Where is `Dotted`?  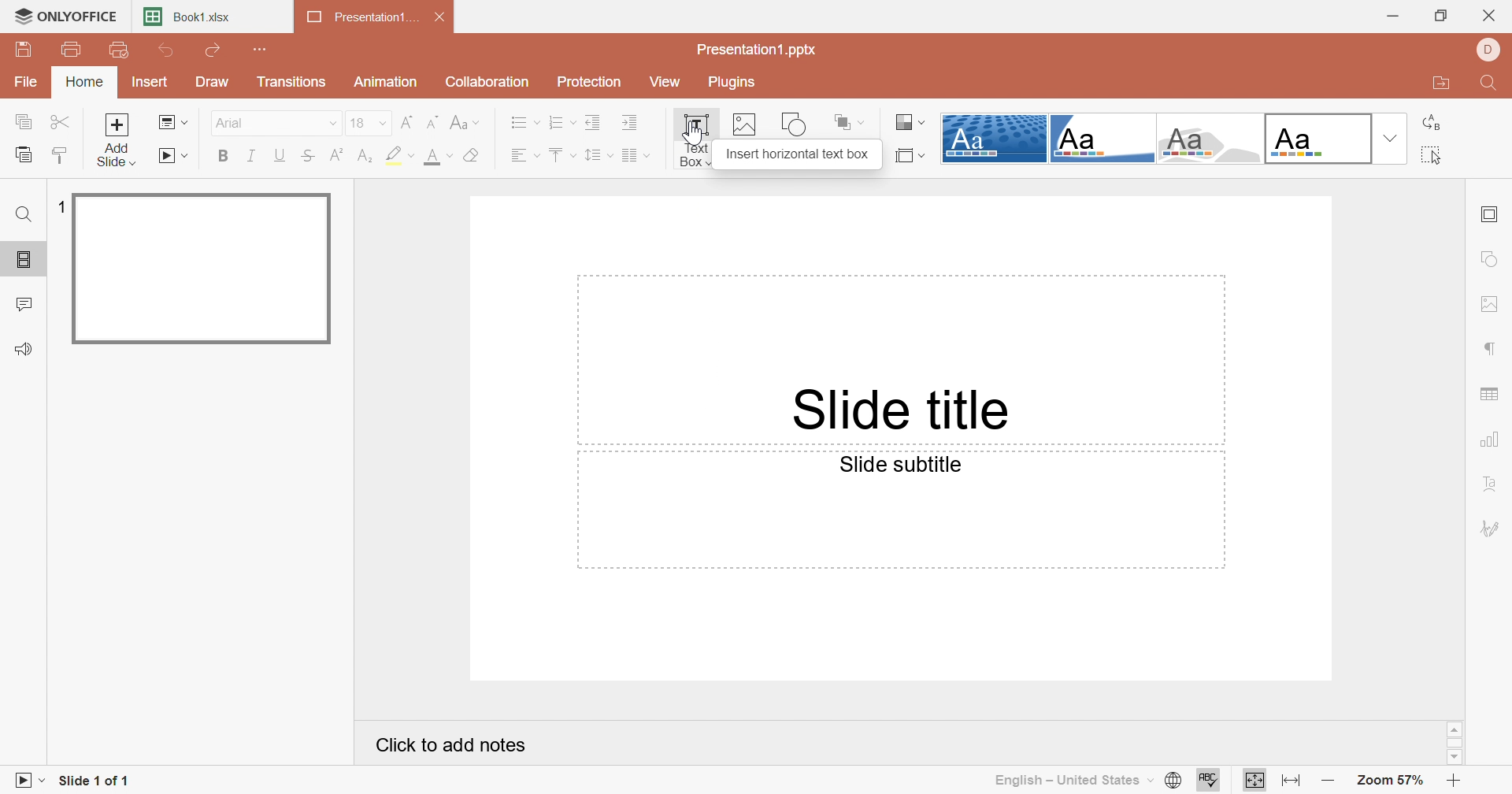 Dotted is located at coordinates (995, 138).